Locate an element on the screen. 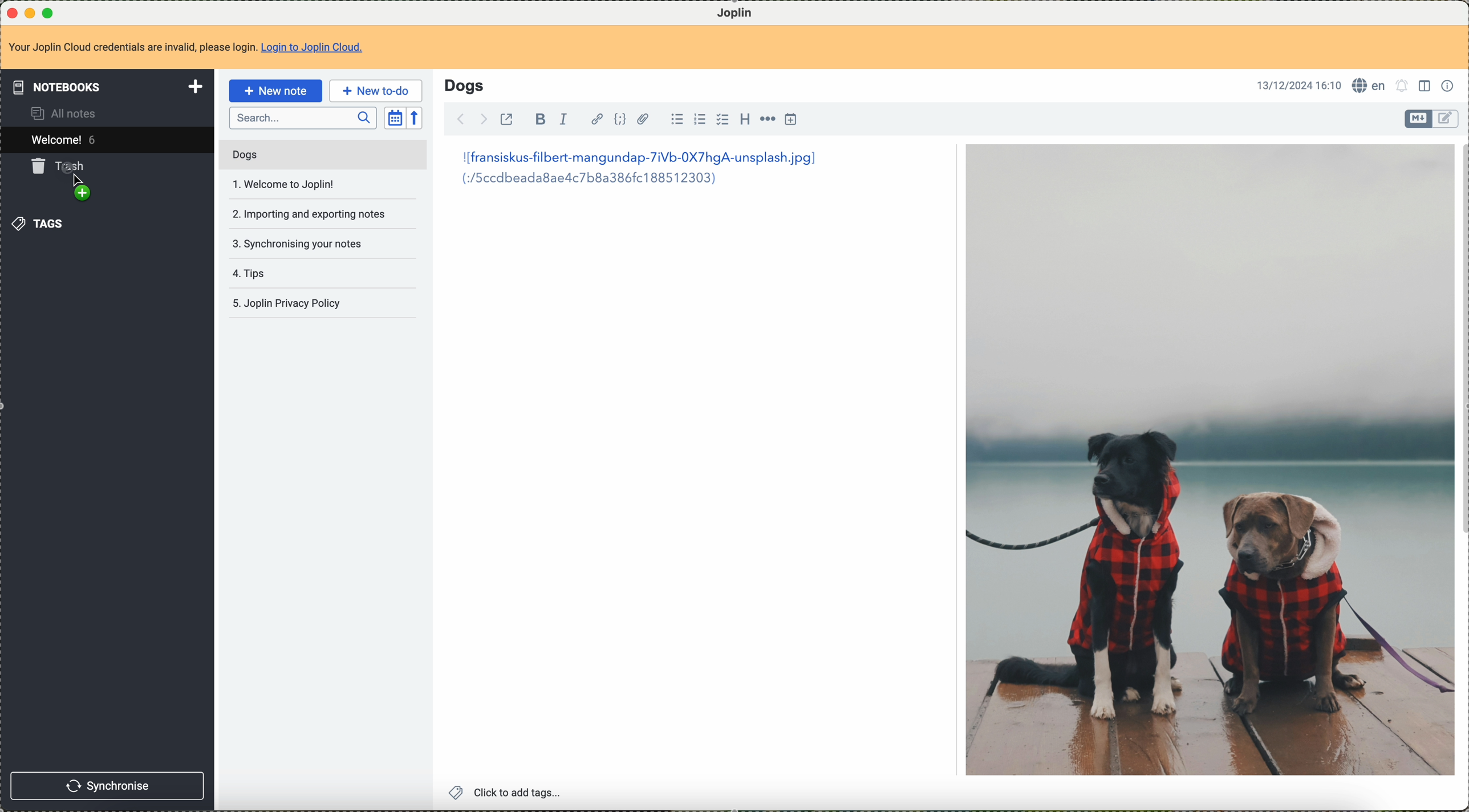 The image size is (1469, 812). bold is located at coordinates (540, 120).